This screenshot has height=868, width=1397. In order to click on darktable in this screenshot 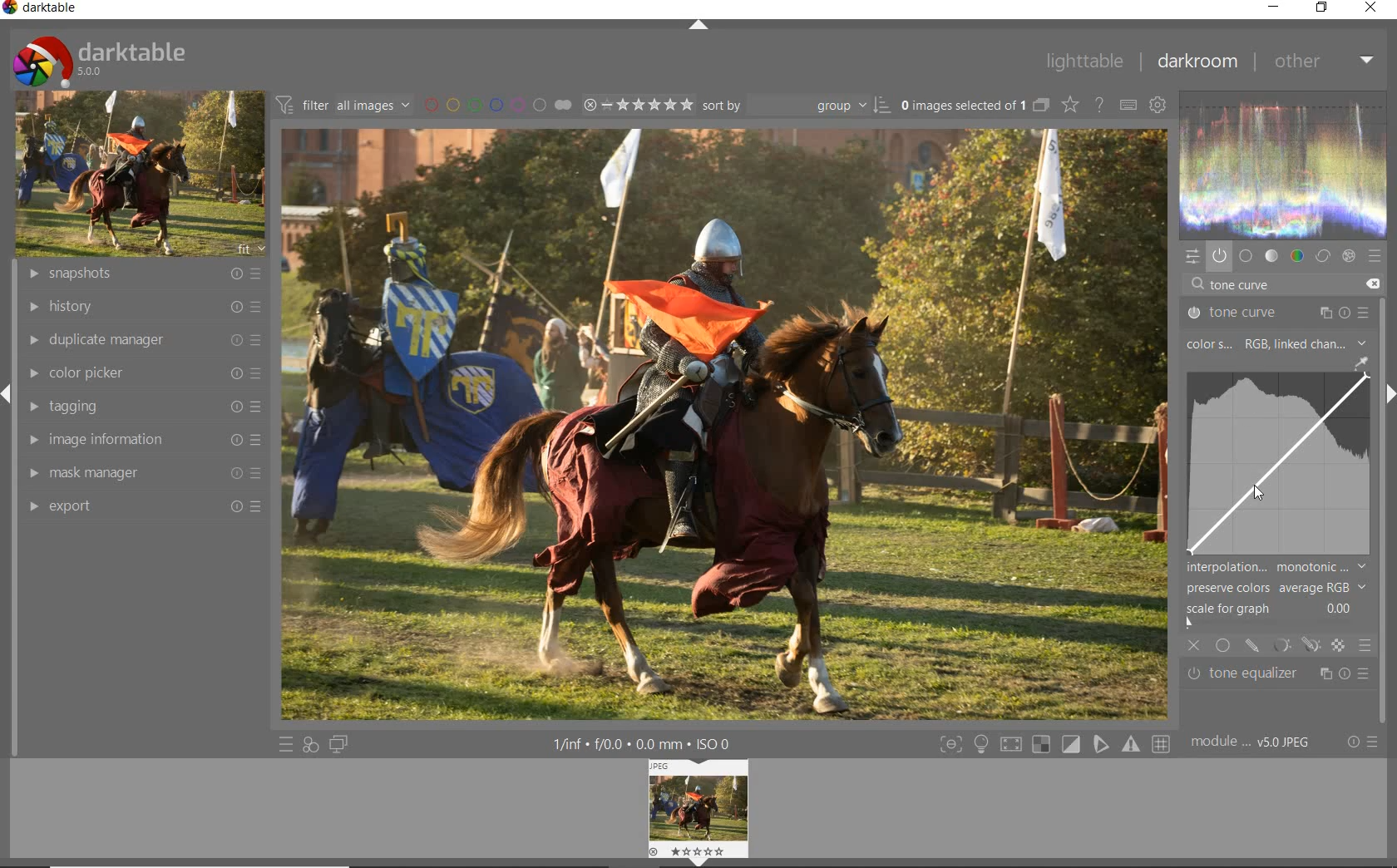, I will do `click(98, 57)`.